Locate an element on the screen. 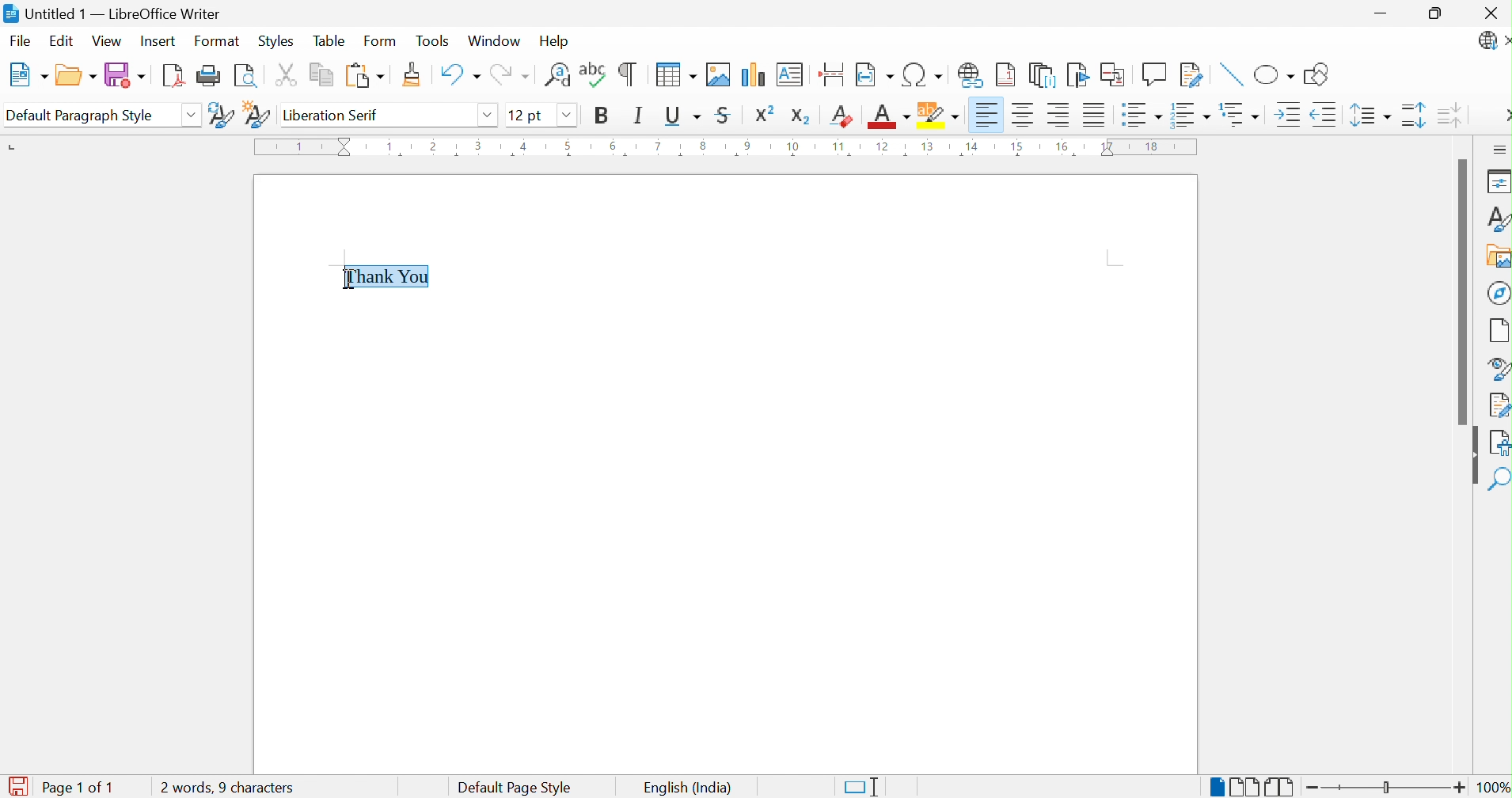 This screenshot has height=798, width=1512. Align Center is located at coordinates (1024, 115).